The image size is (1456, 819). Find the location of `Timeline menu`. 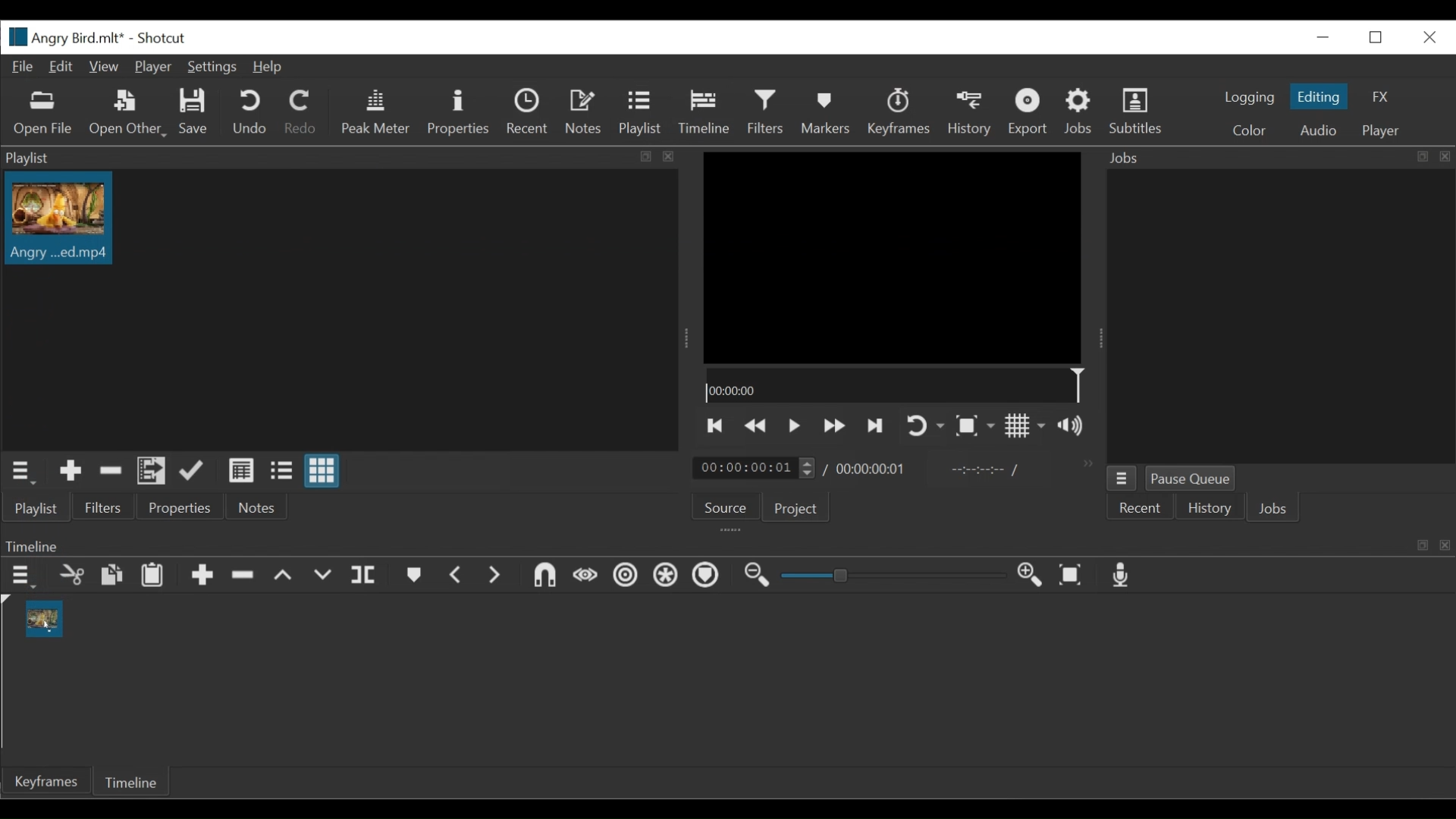

Timeline menu is located at coordinates (21, 577).